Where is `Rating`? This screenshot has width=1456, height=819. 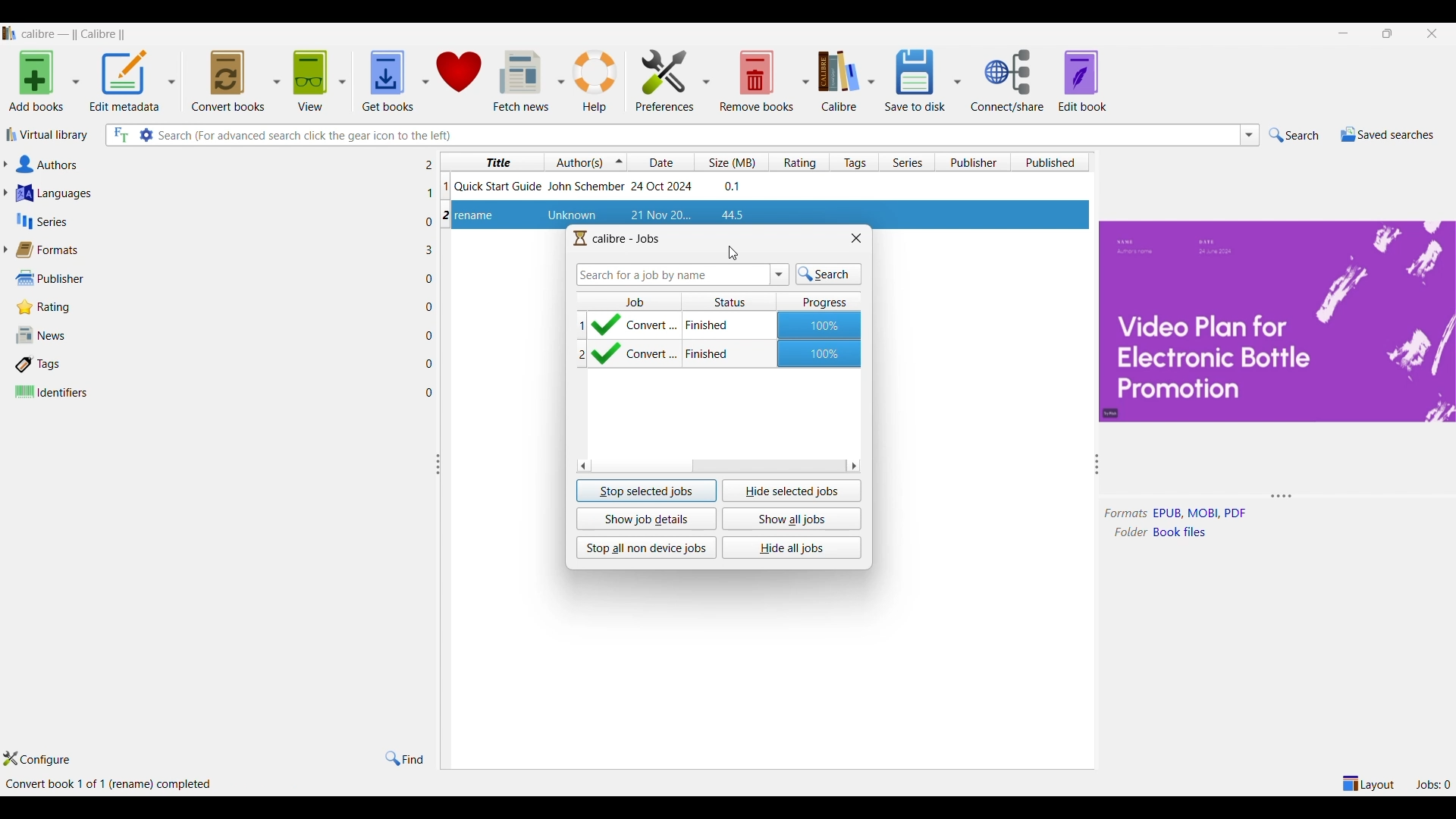
Rating is located at coordinates (216, 307).